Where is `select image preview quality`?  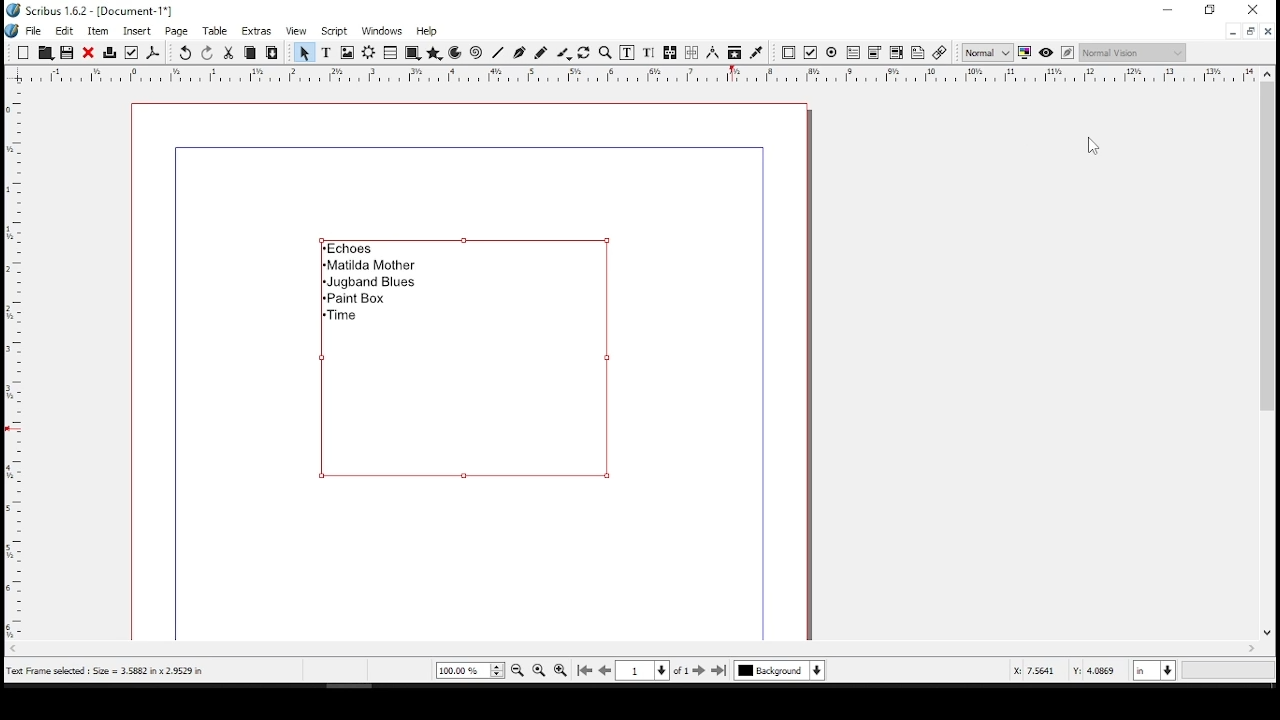 select image preview quality is located at coordinates (987, 52).